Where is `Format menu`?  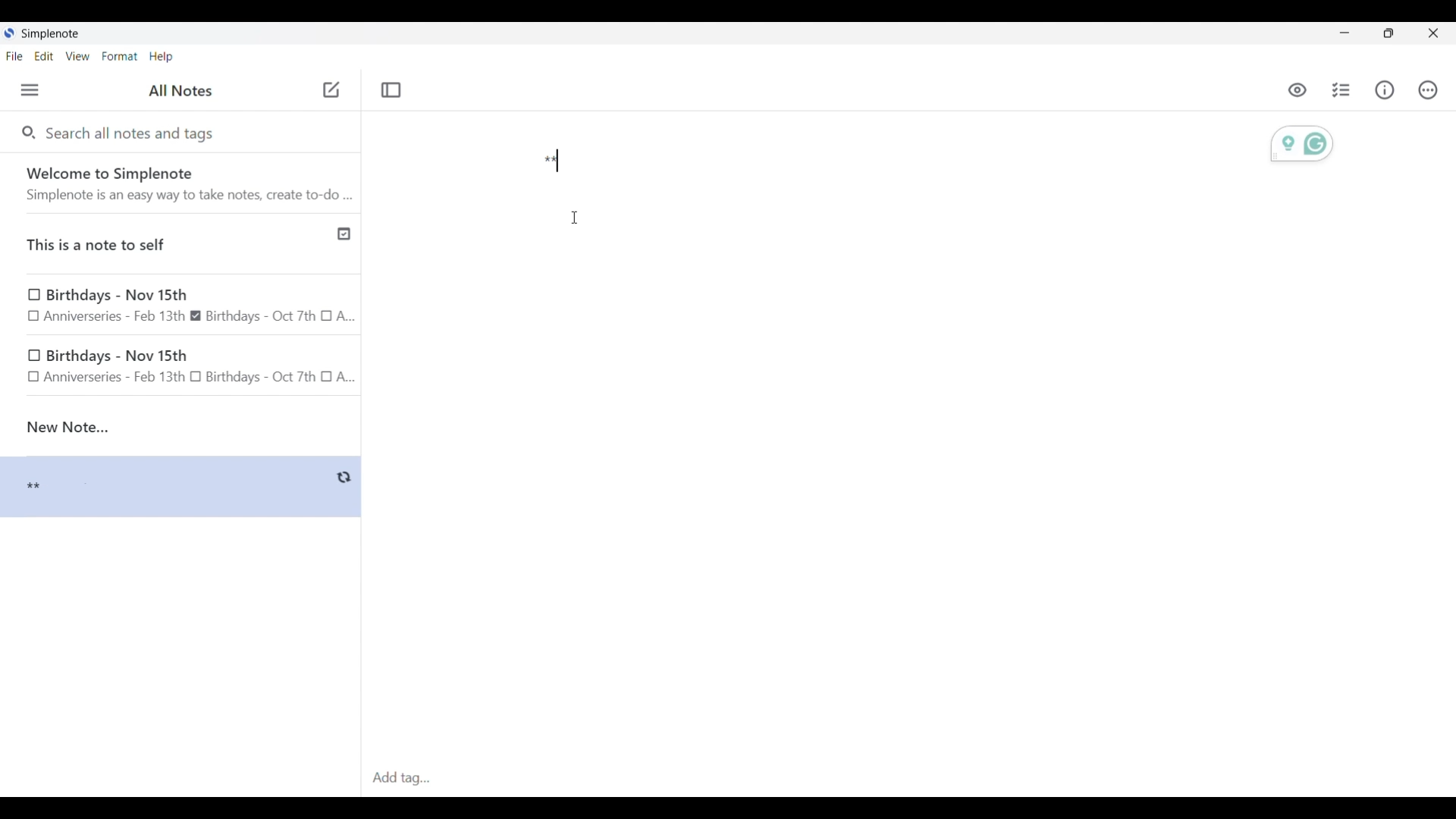 Format menu is located at coordinates (120, 56).